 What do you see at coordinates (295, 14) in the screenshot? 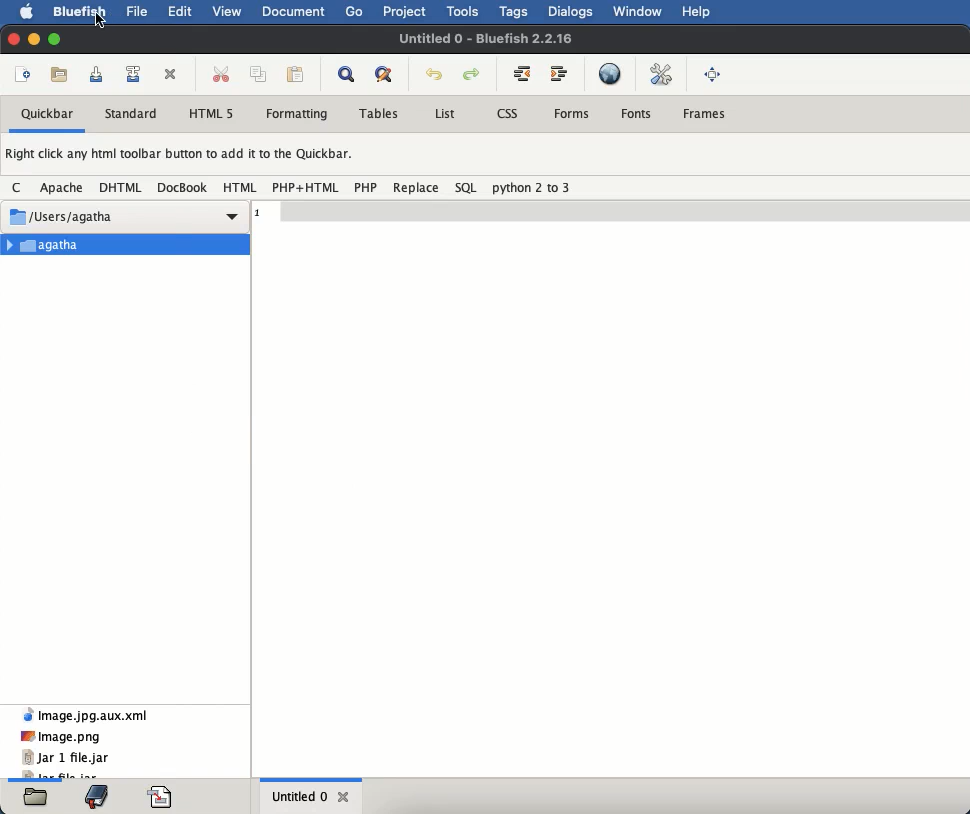
I see `document` at bounding box center [295, 14].